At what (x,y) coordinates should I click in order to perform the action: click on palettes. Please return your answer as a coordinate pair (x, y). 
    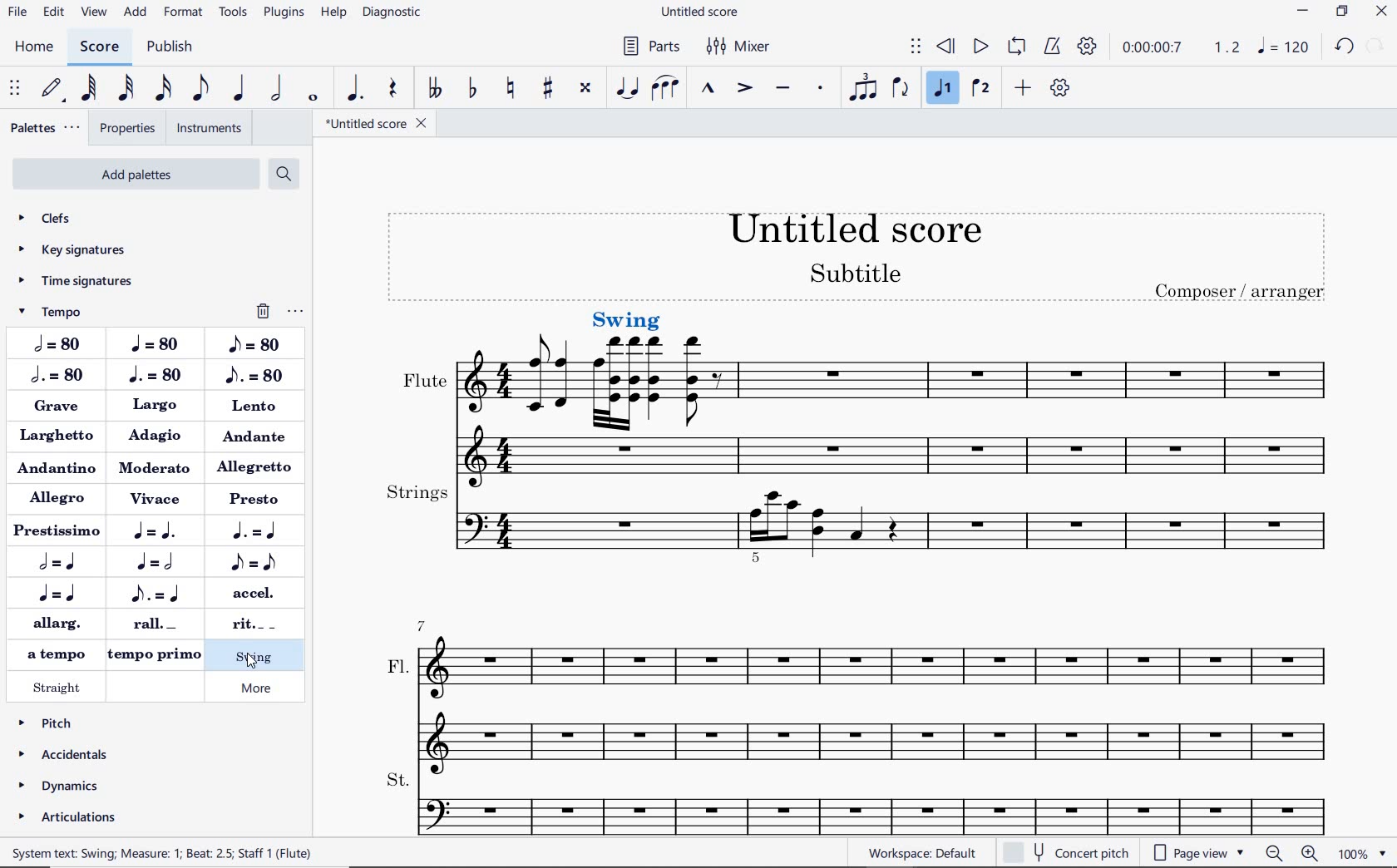
    Looking at the image, I should click on (44, 128).